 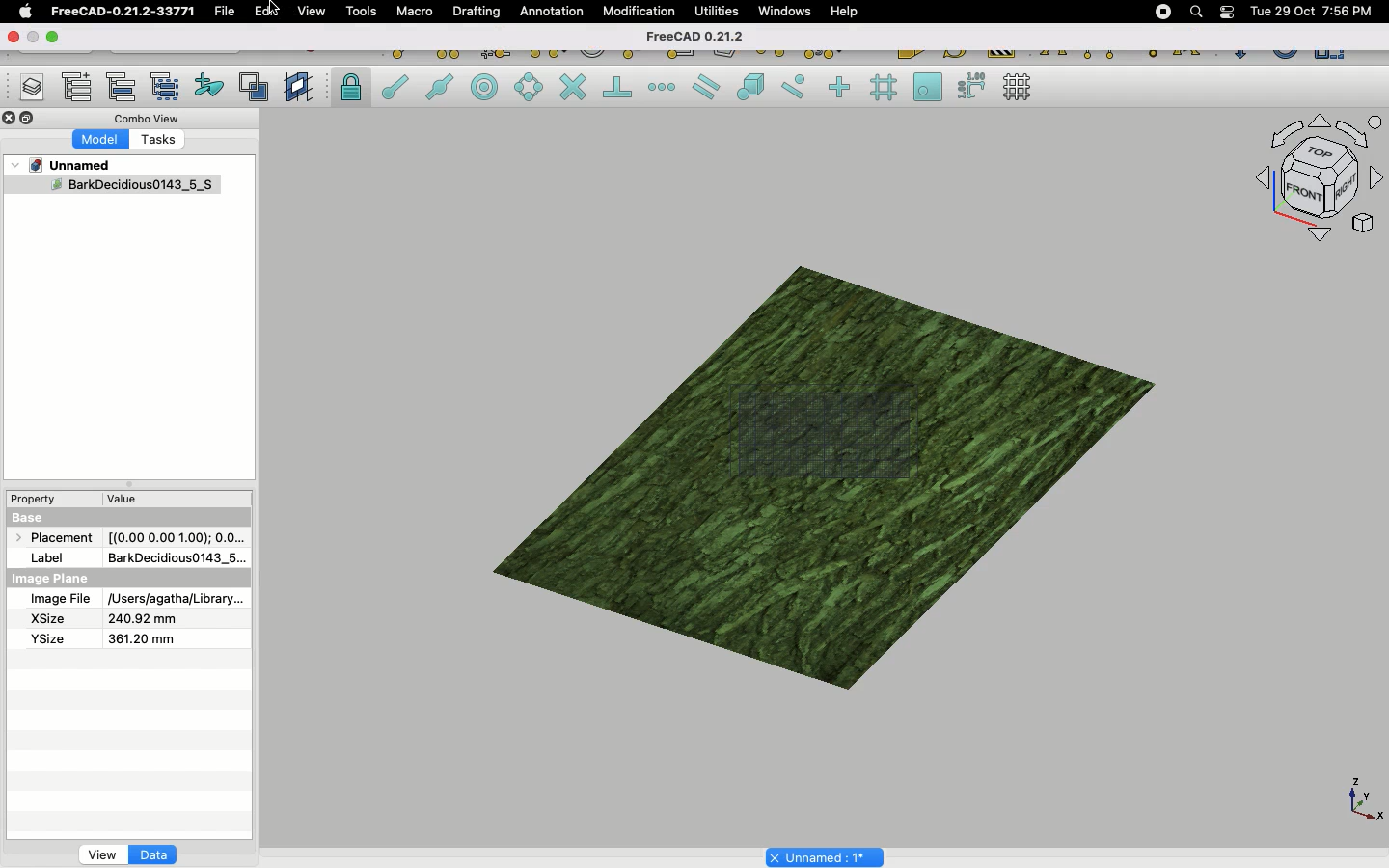 I want to click on Snap midpoint, so click(x=441, y=90).